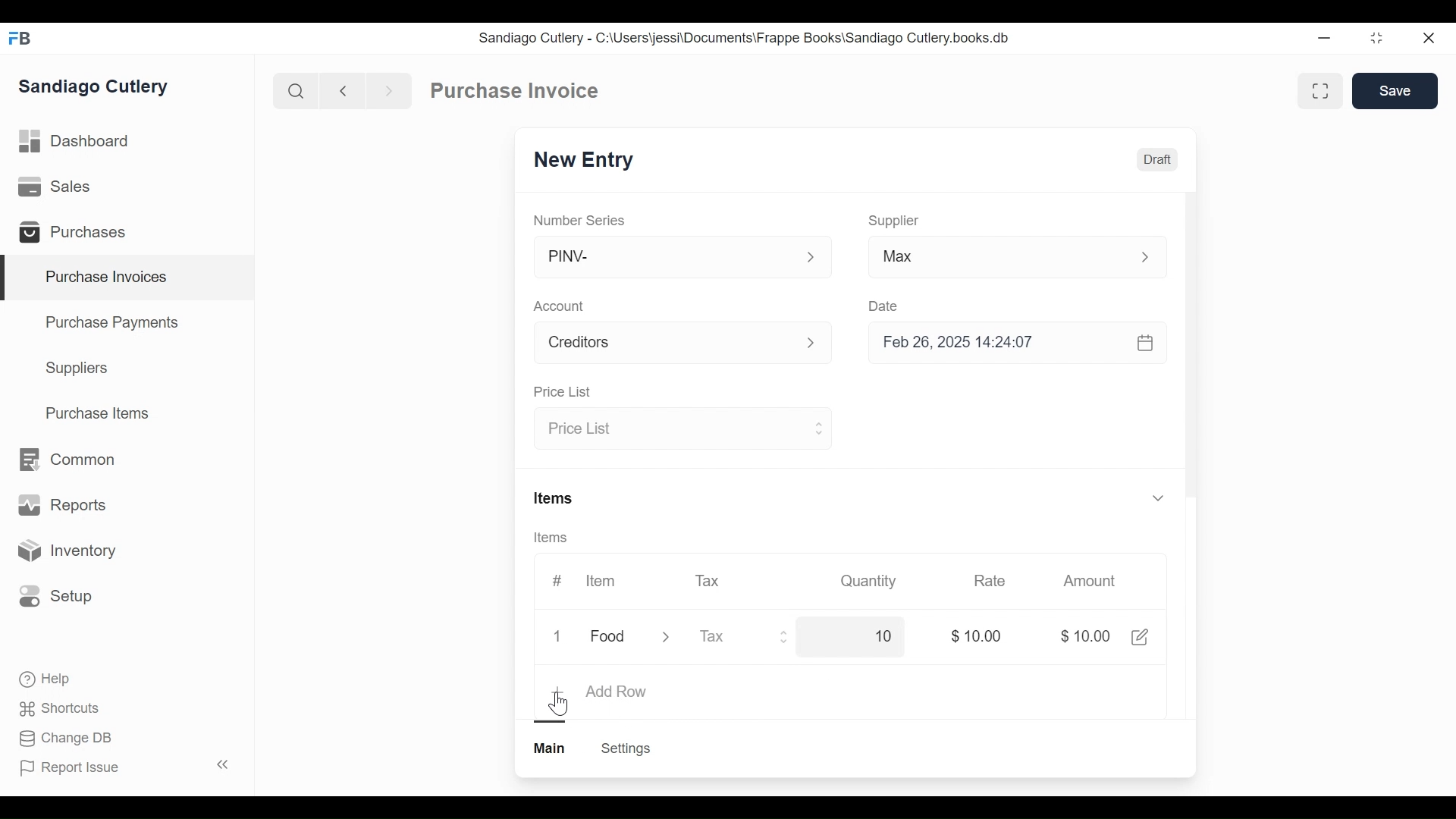 This screenshot has height=819, width=1456. What do you see at coordinates (56, 595) in the screenshot?
I see `Setup` at bounding box center [56, 595].